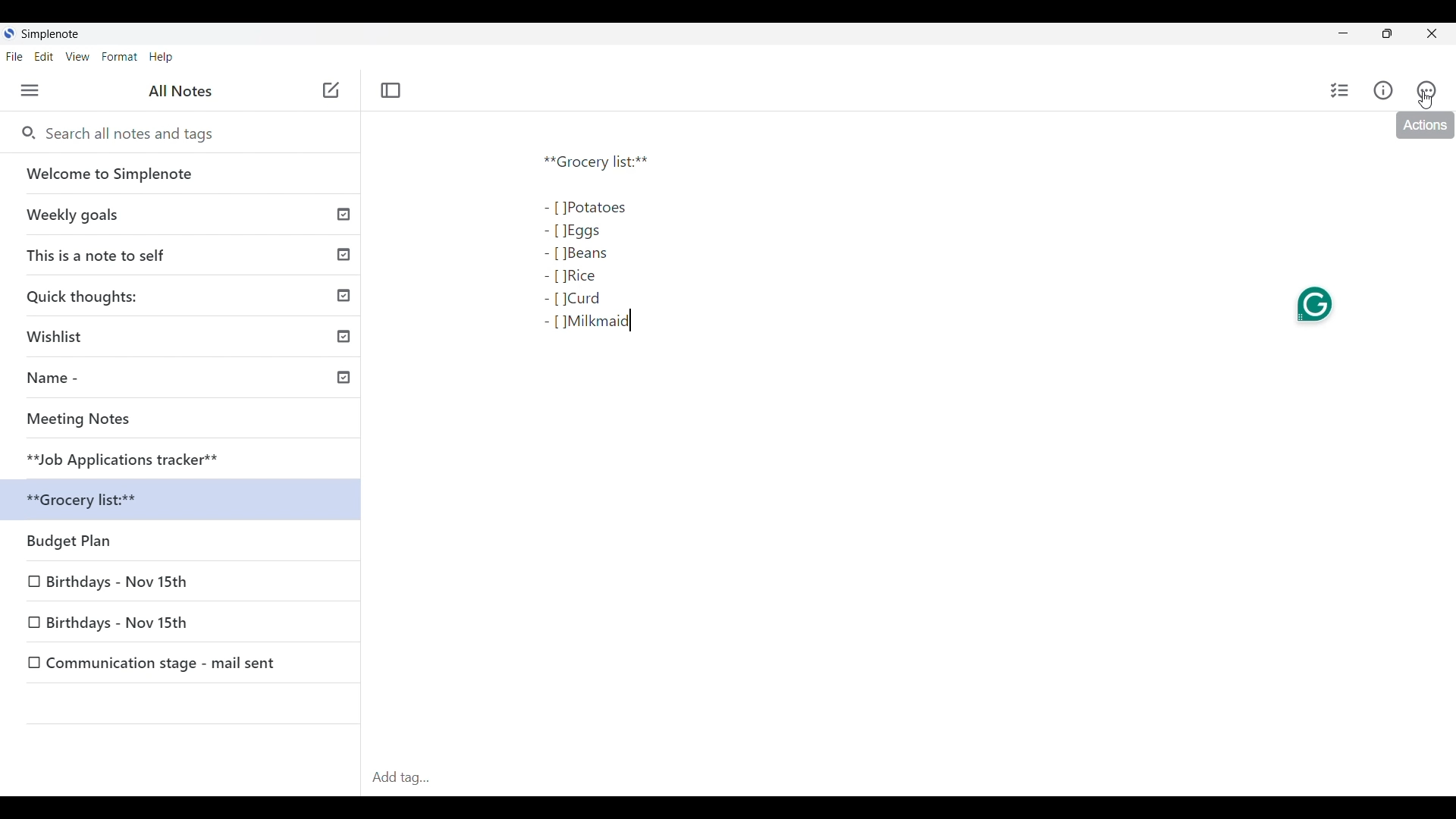 This screenshot has height=819, width=1456. What do you see at coordinates (44, 57) in the screenshot?
I see `Edit` at bounding box center [44, 57].